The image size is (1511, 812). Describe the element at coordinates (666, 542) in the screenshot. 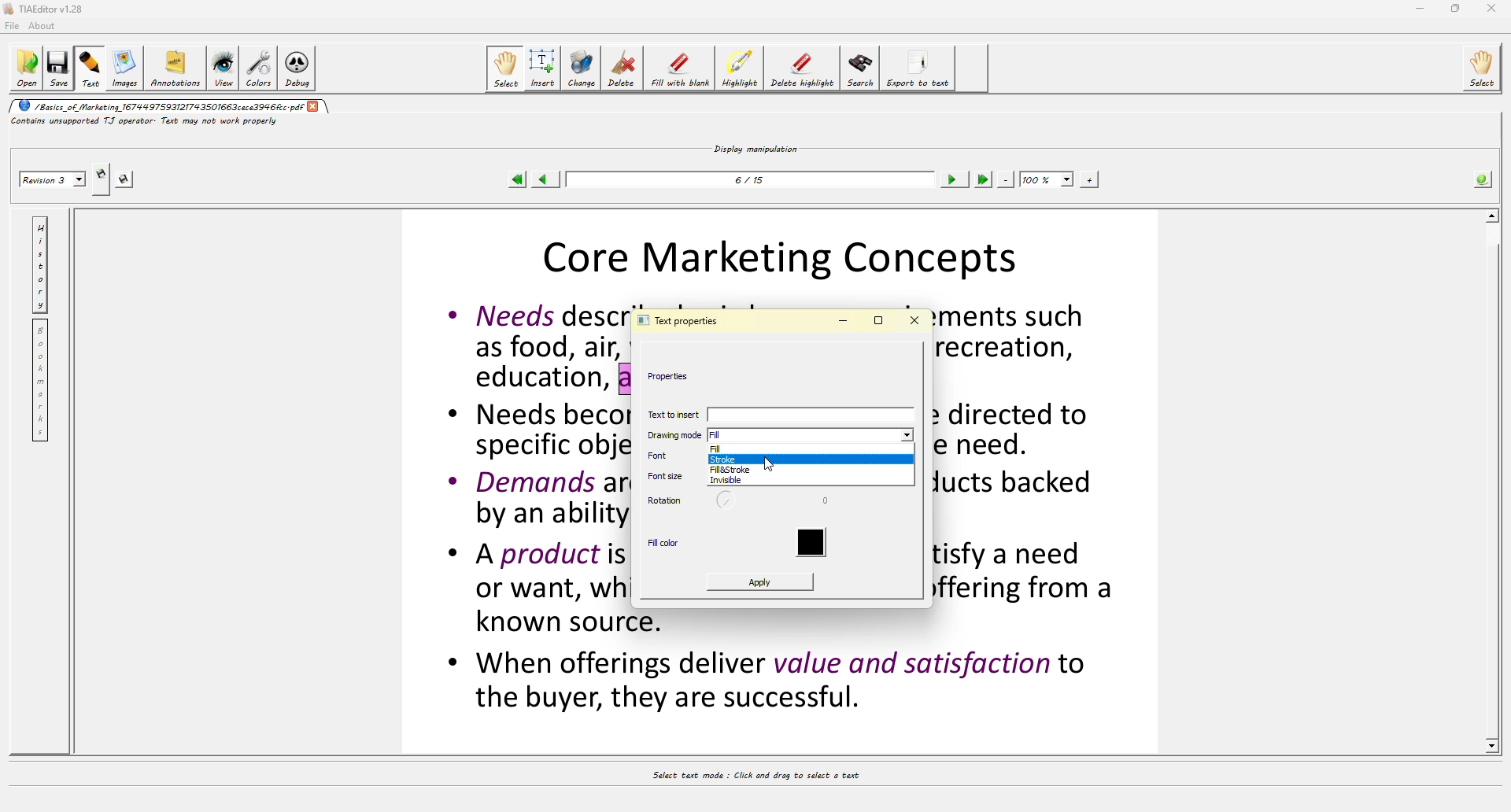

I see `fill color` at that location.